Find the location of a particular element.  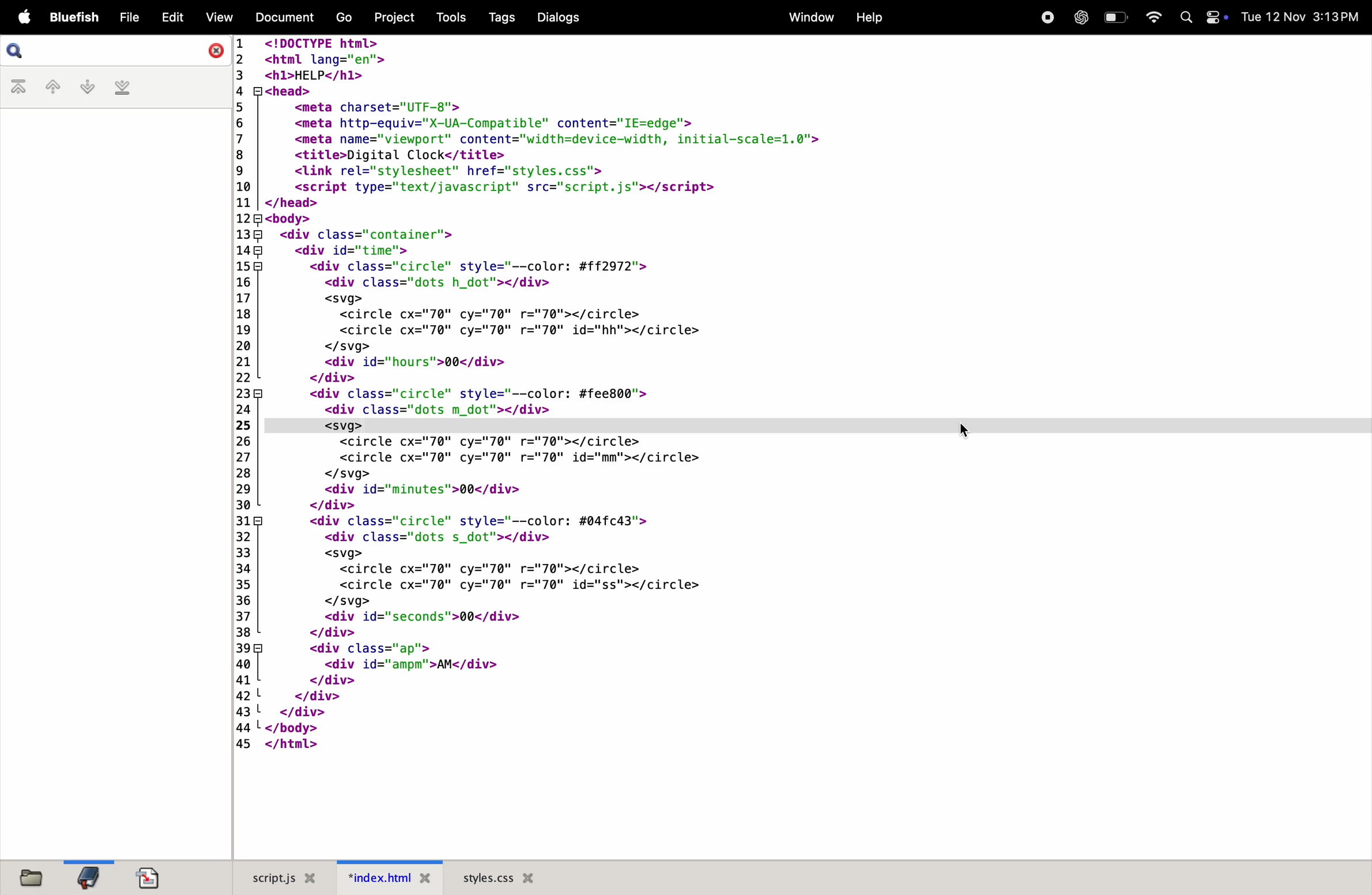

project is located at coordinates (392, 16).